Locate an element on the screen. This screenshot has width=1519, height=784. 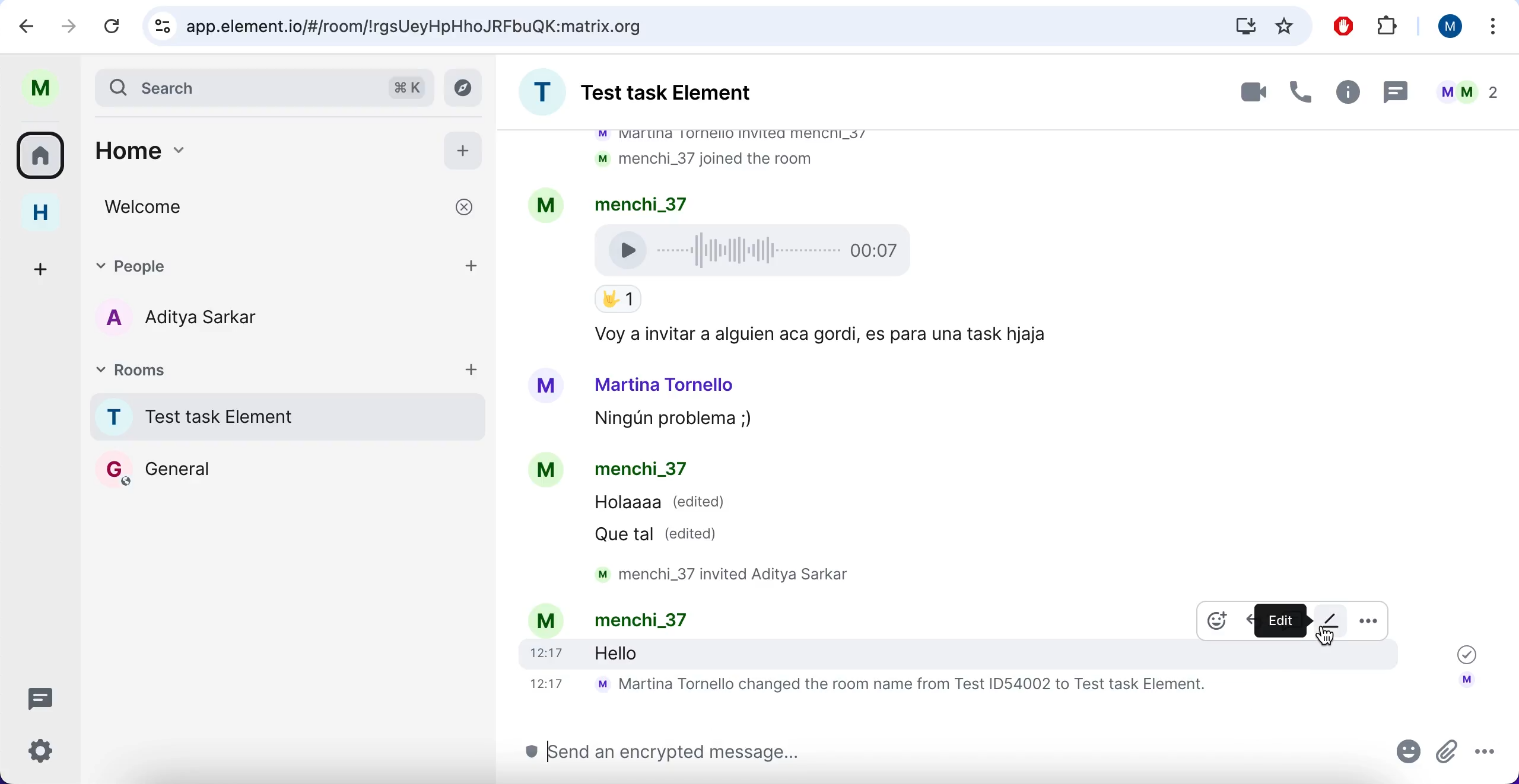
reload current page is located at coordinates (117, 26).